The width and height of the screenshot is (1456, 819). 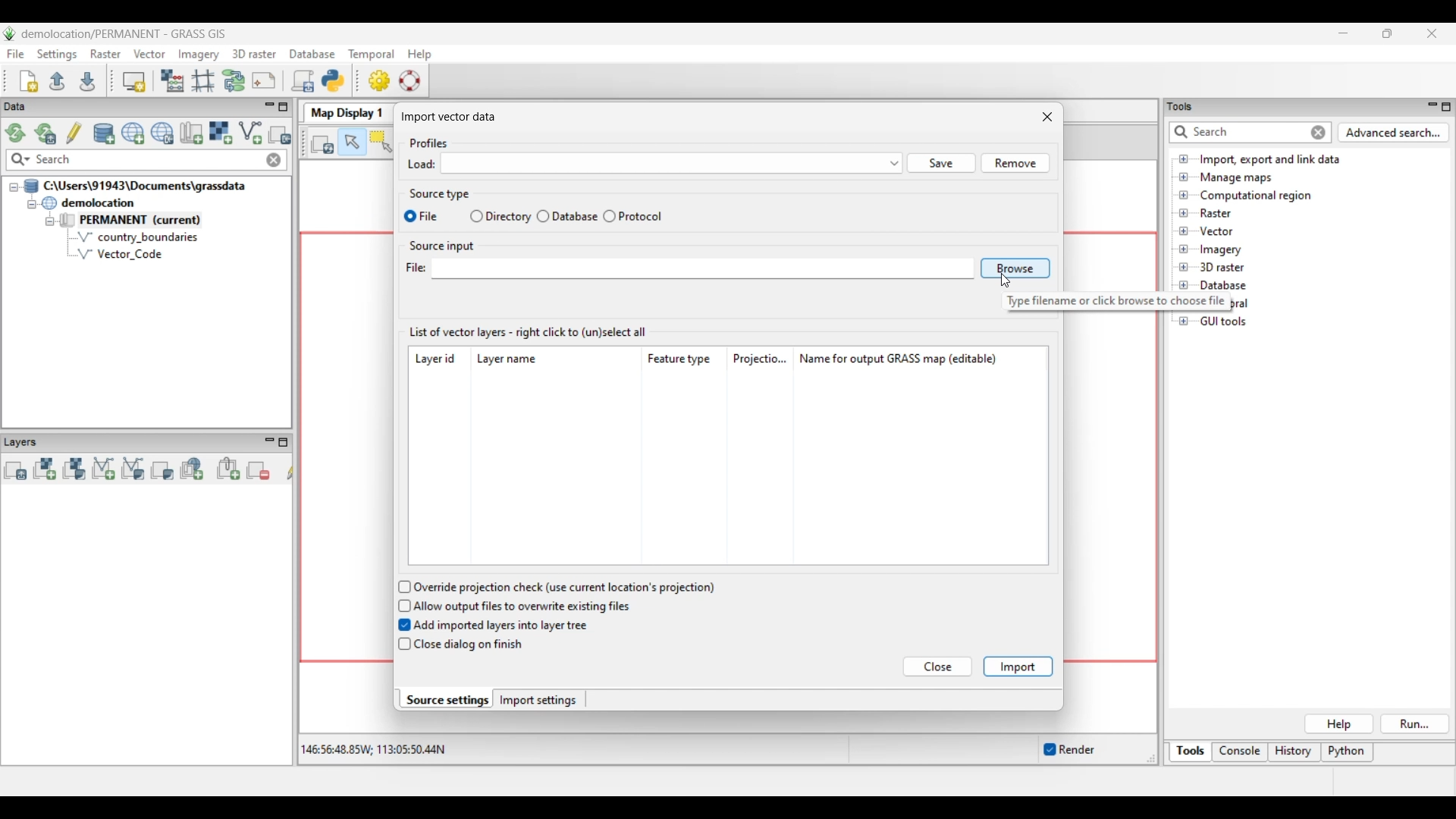 I want to click on cursor, so click(x=1006, y=282).